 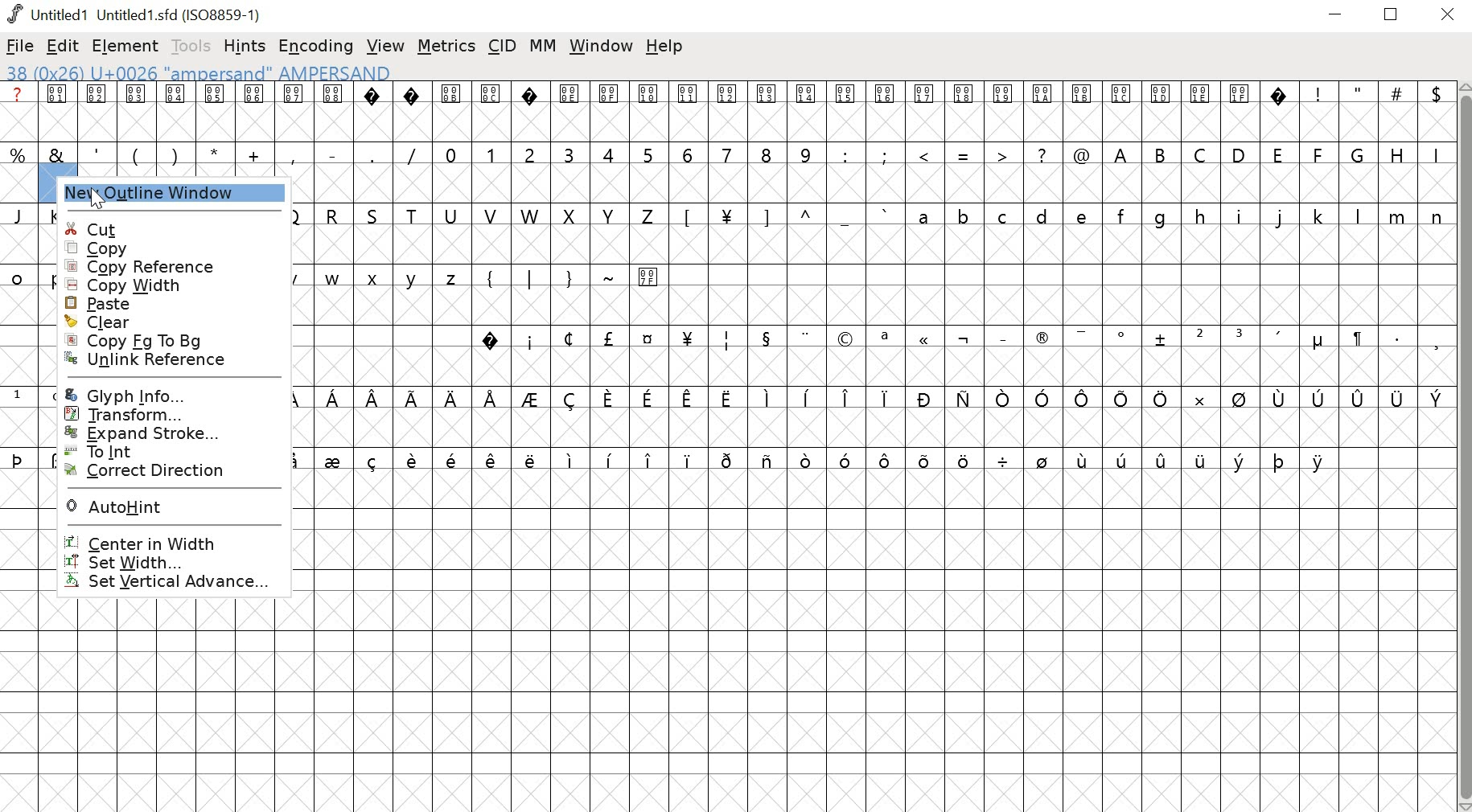 What do you see at coordinates (845, 396) in the screenshot?
I see `symbol` at bounding box center [845, 396].